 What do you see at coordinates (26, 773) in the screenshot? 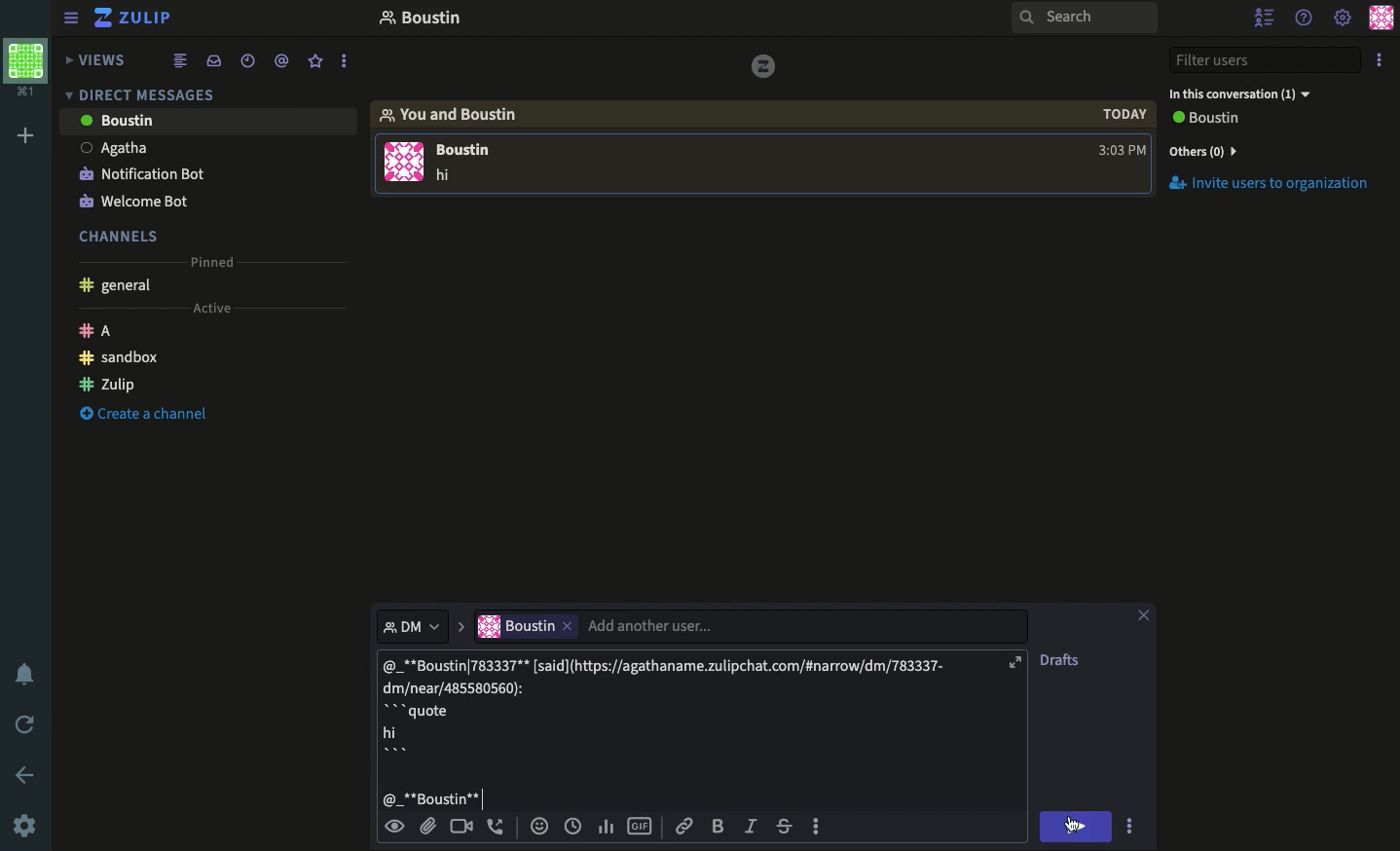
I see `Back` at bounding box center [26, 773].